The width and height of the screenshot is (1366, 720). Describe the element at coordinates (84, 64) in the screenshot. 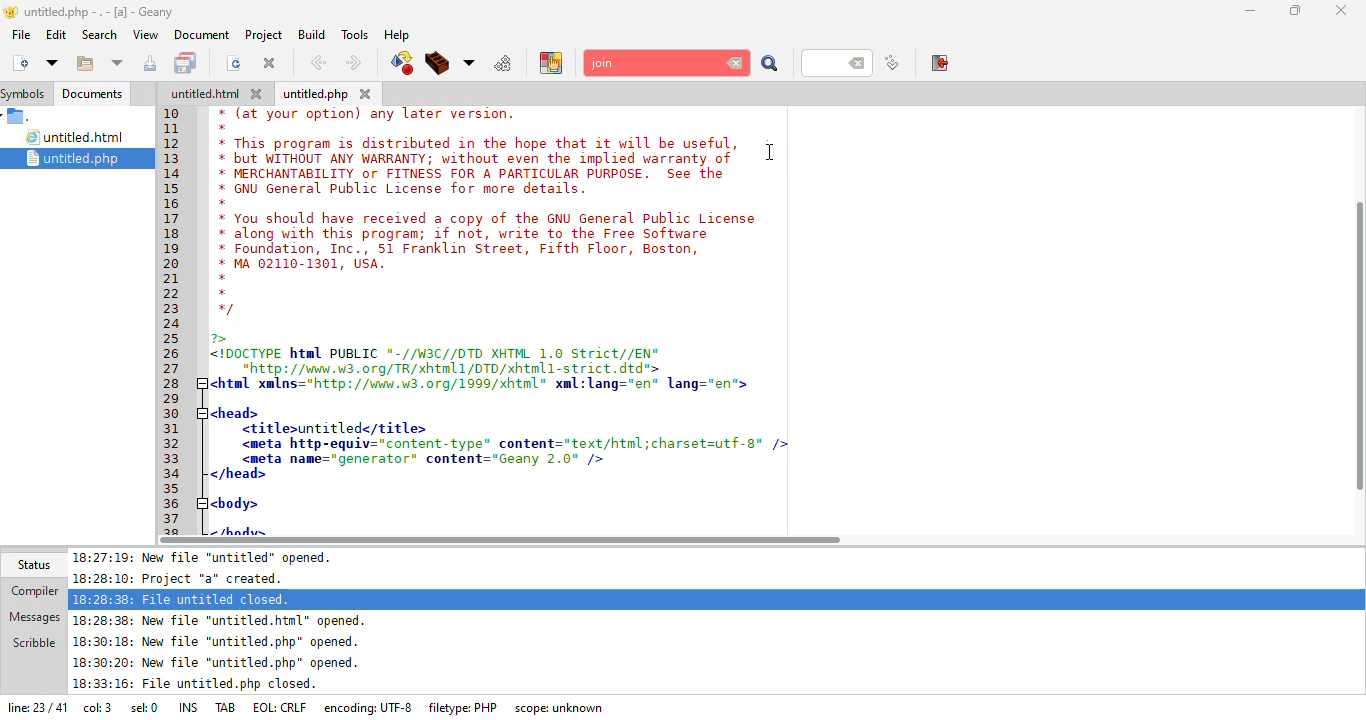

I see `open existing` at that location.